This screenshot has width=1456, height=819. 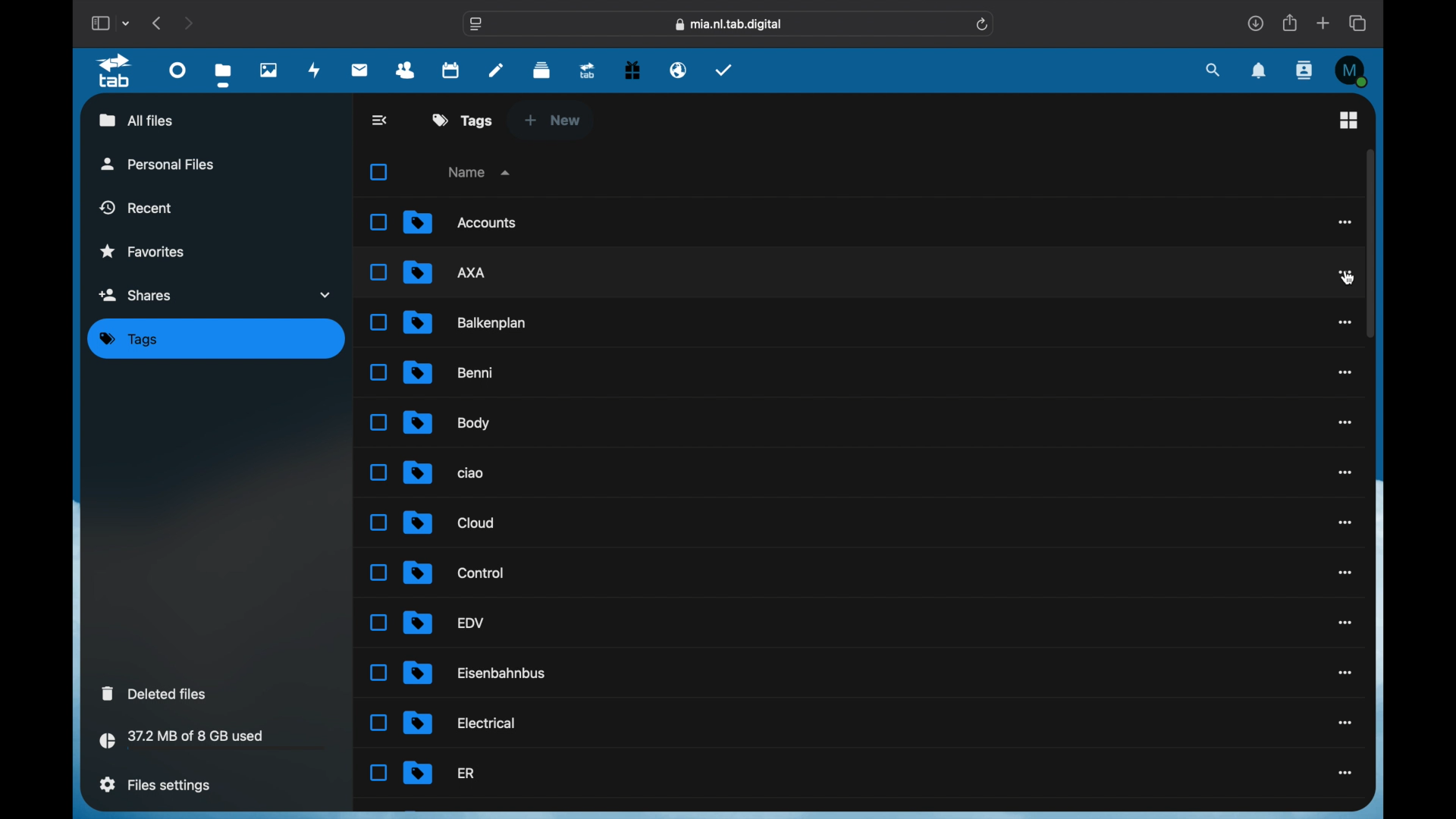 What do you see at coordinates (632, 68) in the screenshot?
I see `free trial` at bounding box center [632, 68].